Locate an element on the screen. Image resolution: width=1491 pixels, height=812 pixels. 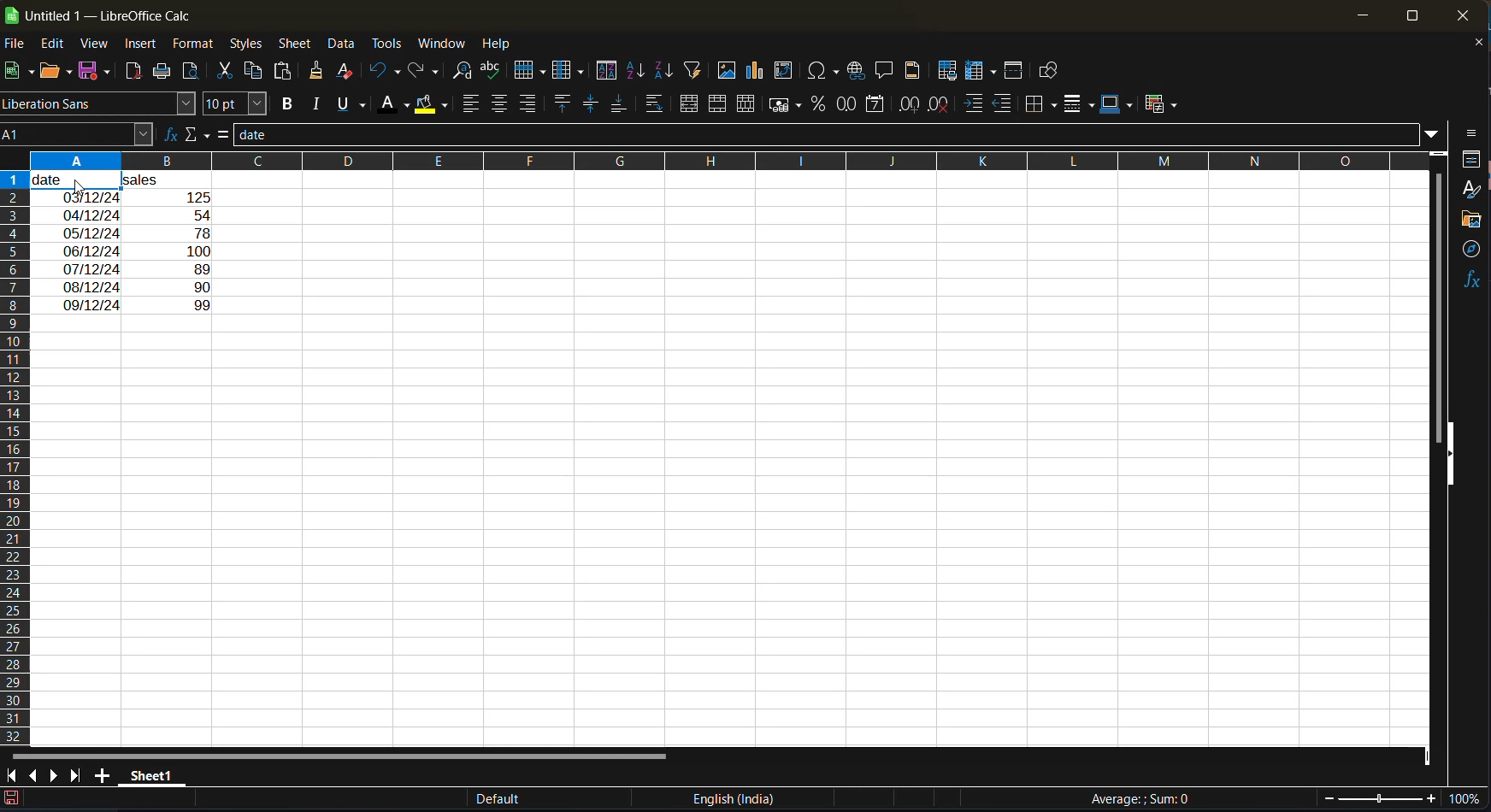
open is located at coordinates (50, 72).